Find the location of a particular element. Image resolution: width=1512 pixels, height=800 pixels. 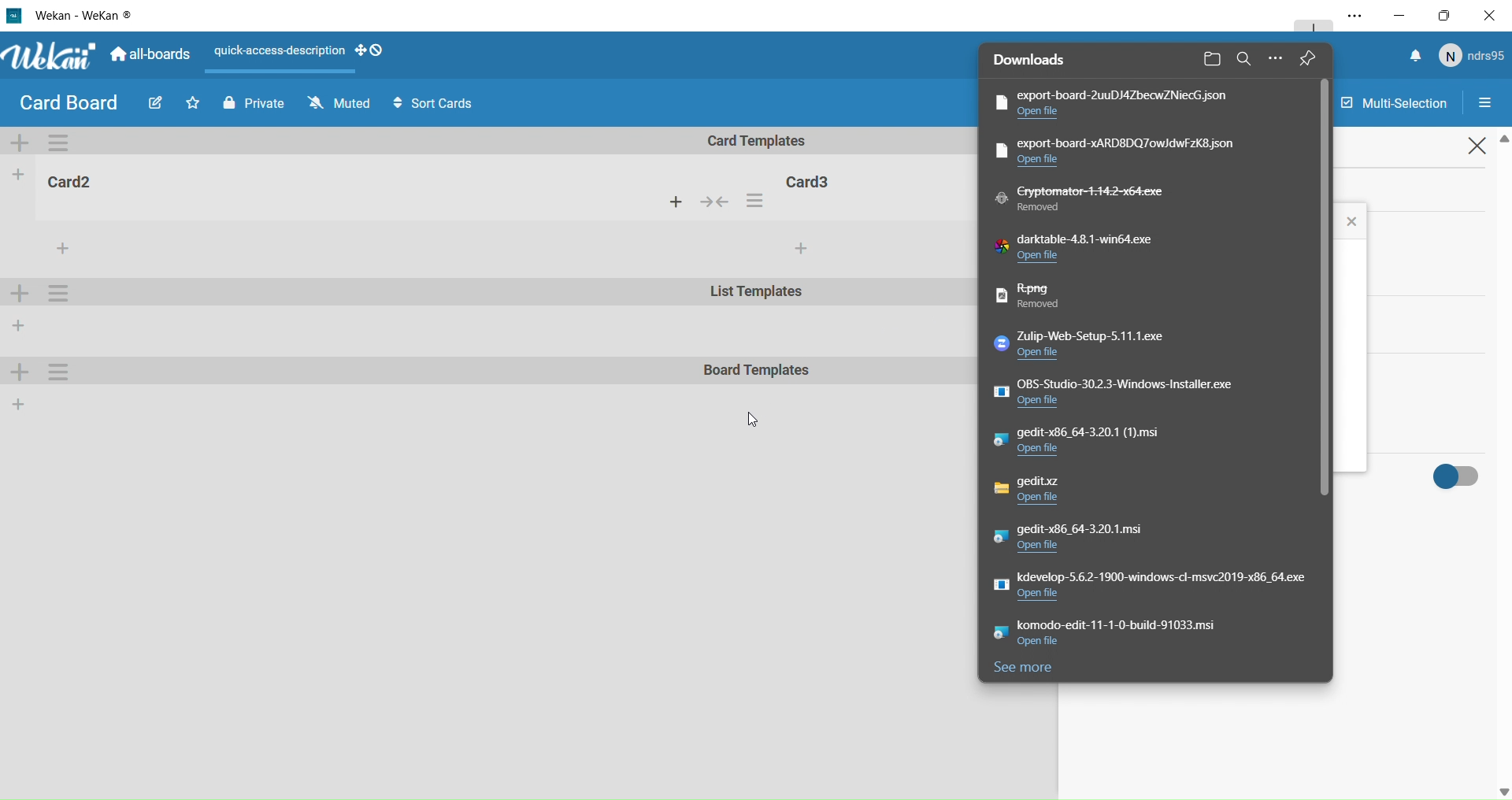

box is located at coordinates (1449, 15).